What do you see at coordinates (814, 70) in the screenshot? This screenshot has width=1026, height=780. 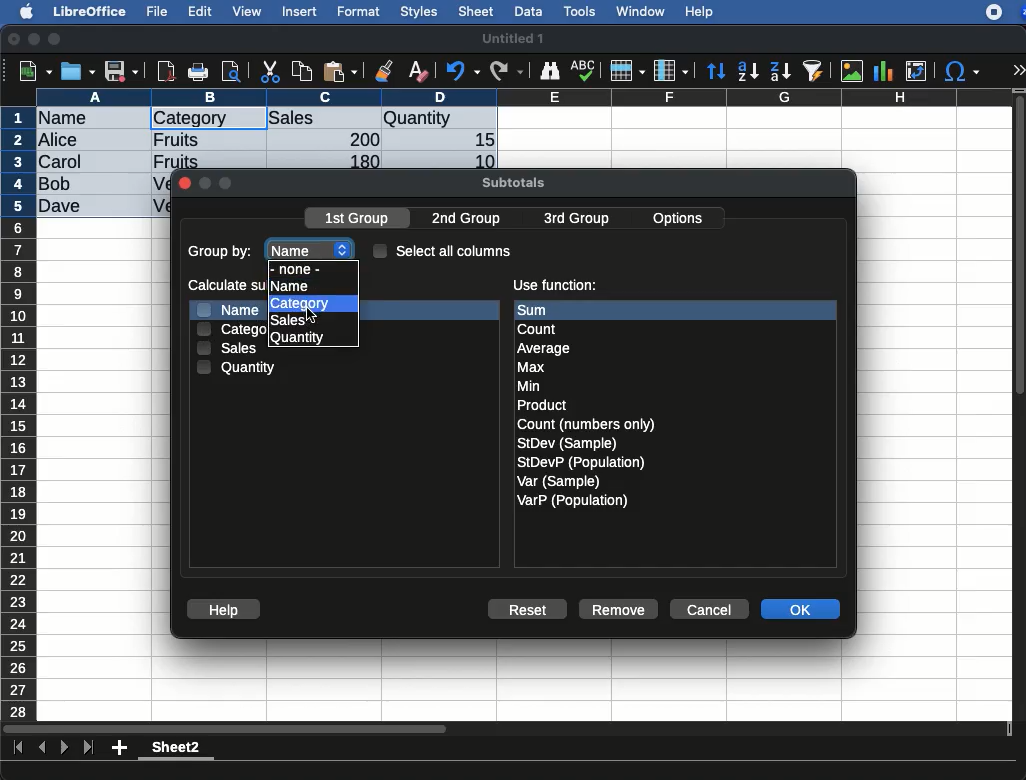 I see `autofilter` at bounding box center [814, 70].